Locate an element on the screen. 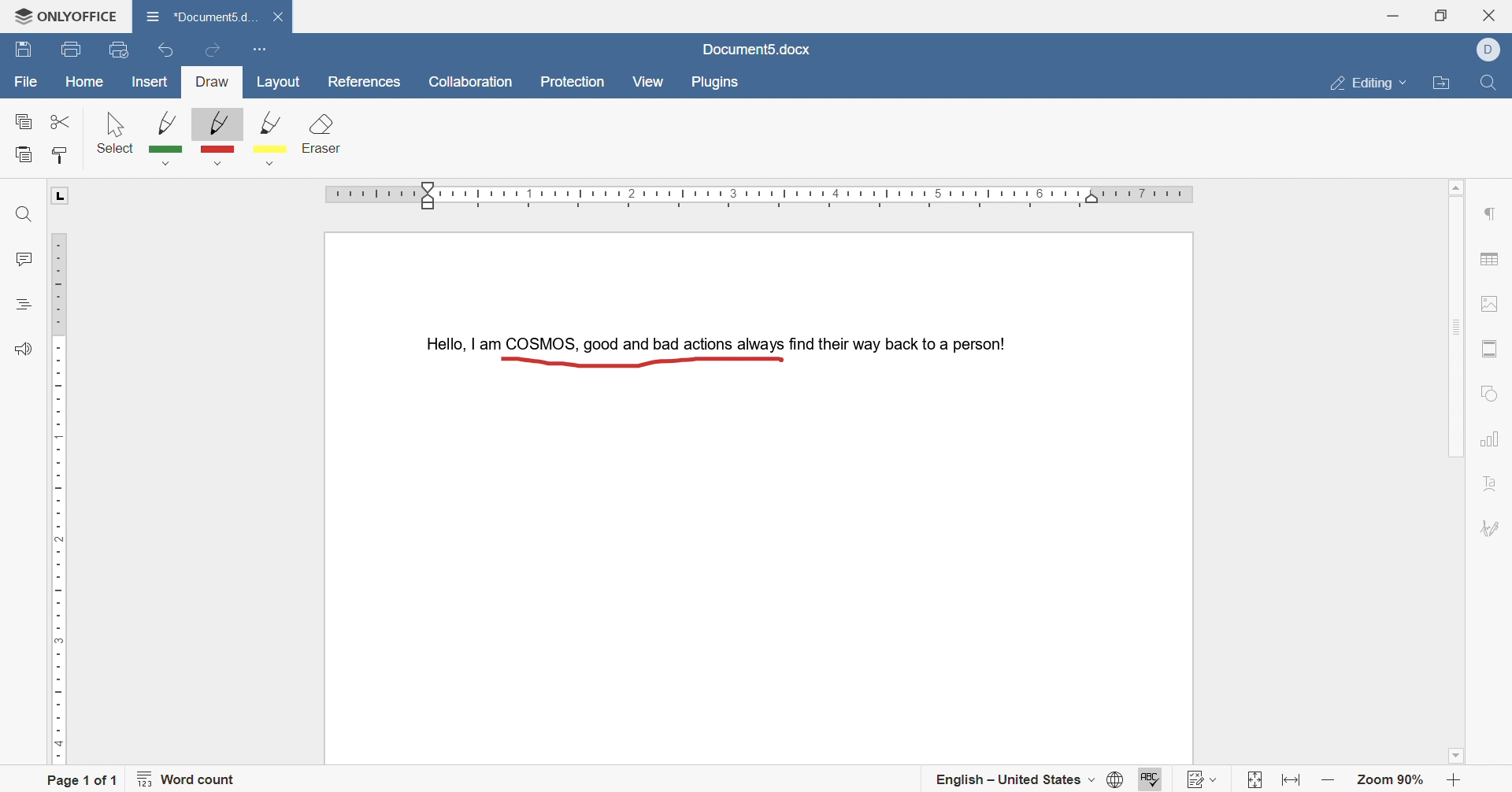 The width and height of the screenshot is (1512, 792). paragraph settings is located at coordinates (1493, 213).